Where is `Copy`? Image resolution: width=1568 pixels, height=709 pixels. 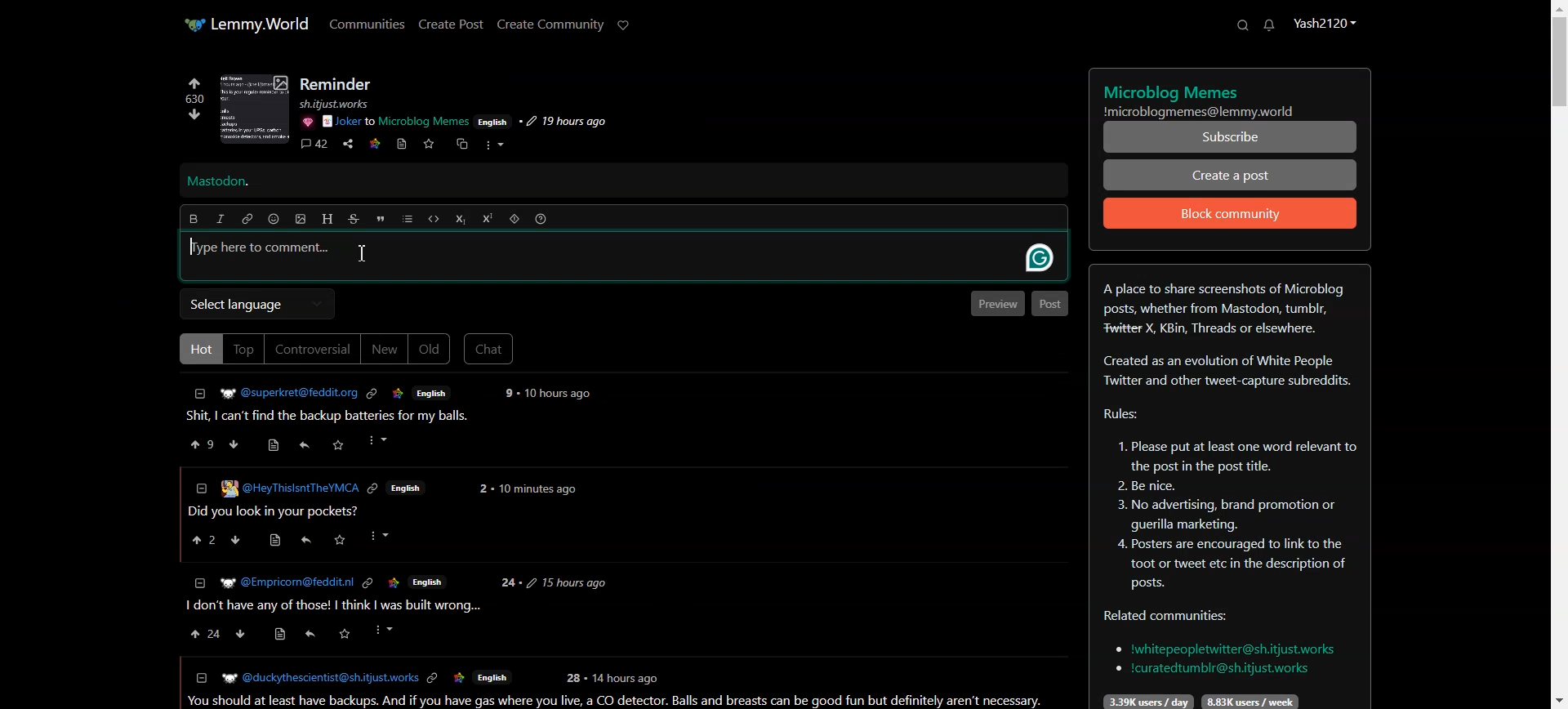 Copy is located at coordinates (460, 145).